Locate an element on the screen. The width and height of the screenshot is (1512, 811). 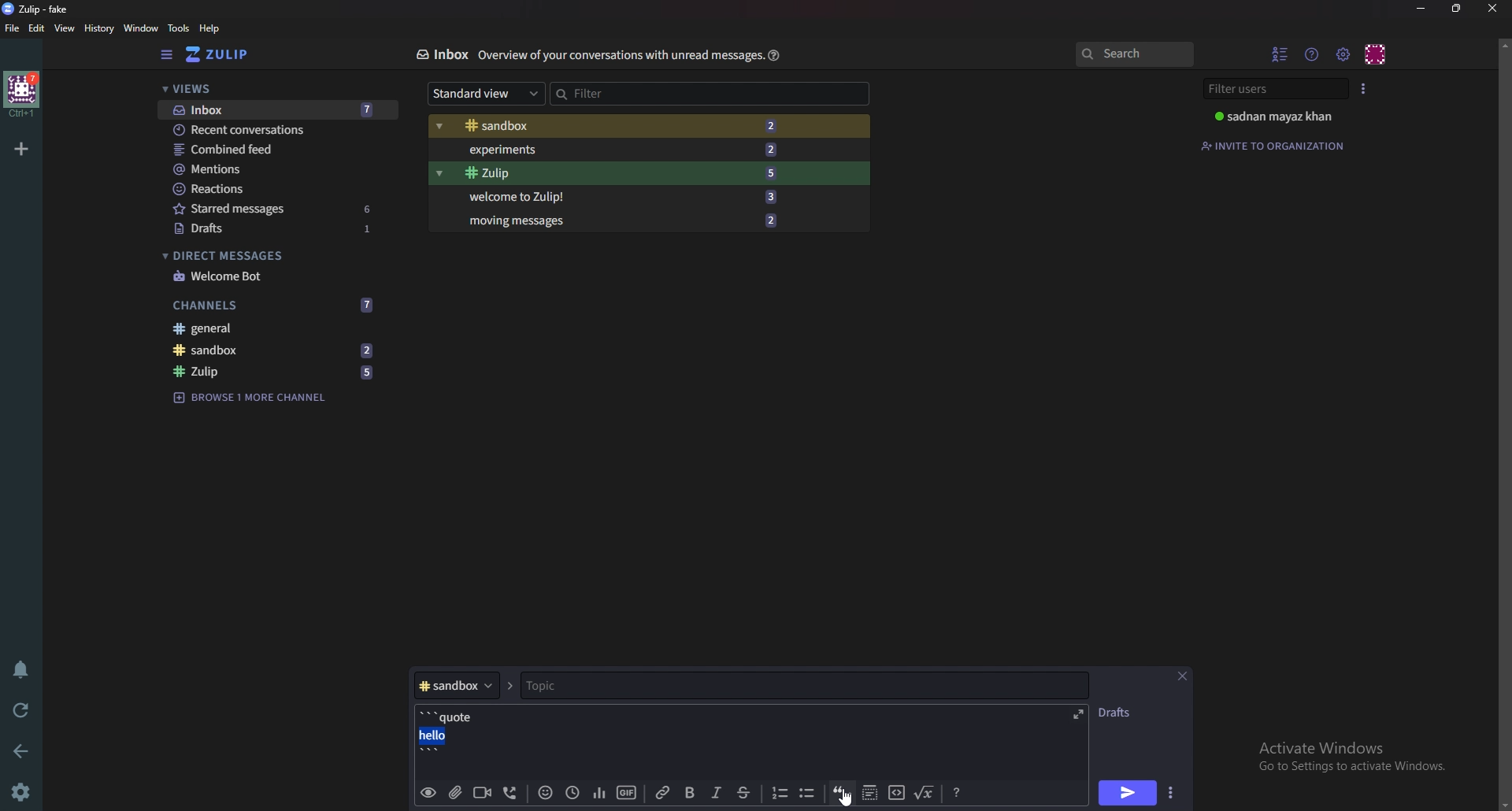
send is located at coordinates (1128, 793).